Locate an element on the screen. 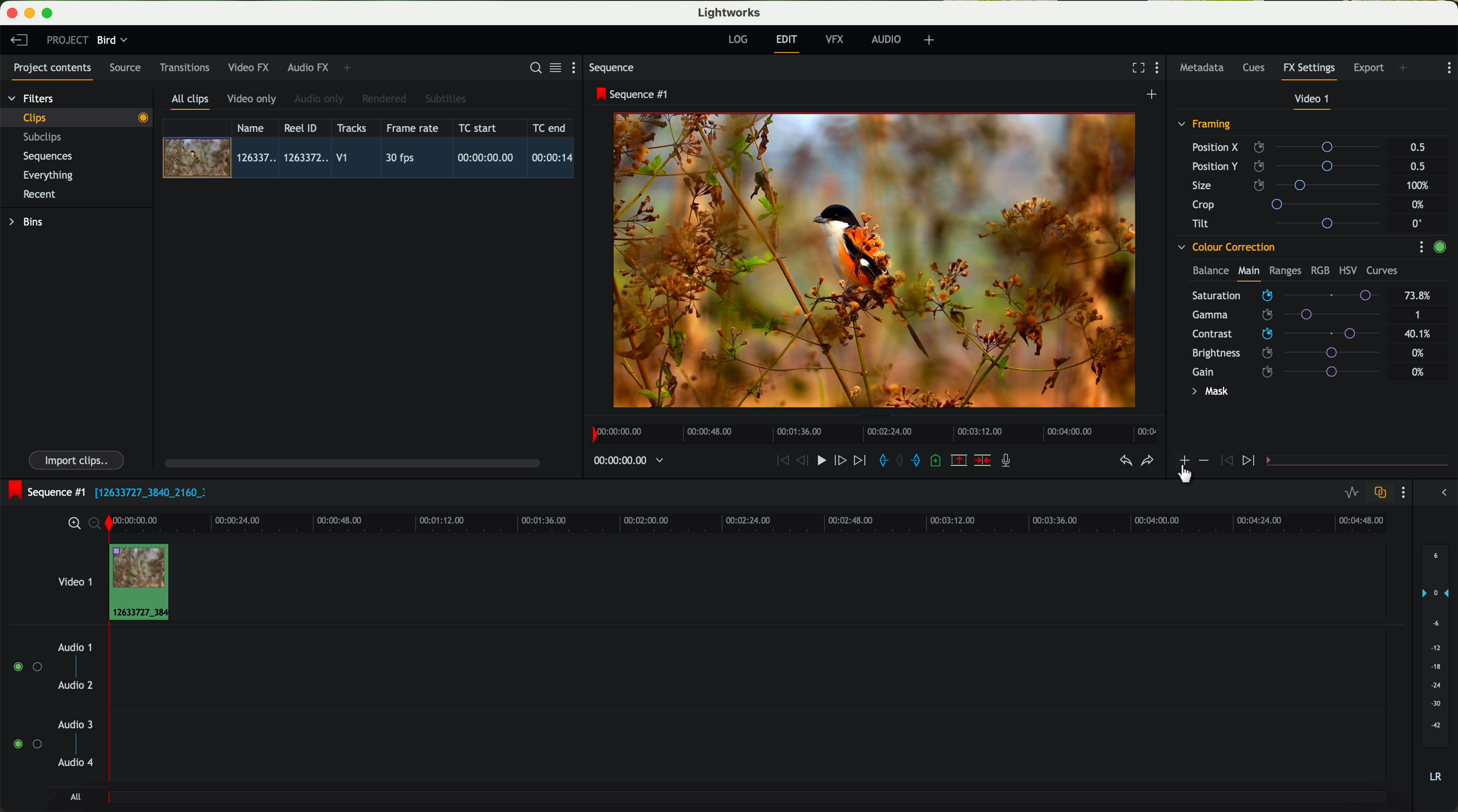 The image size is (1458, 812). HSV is located at coordinates (1347, 270).